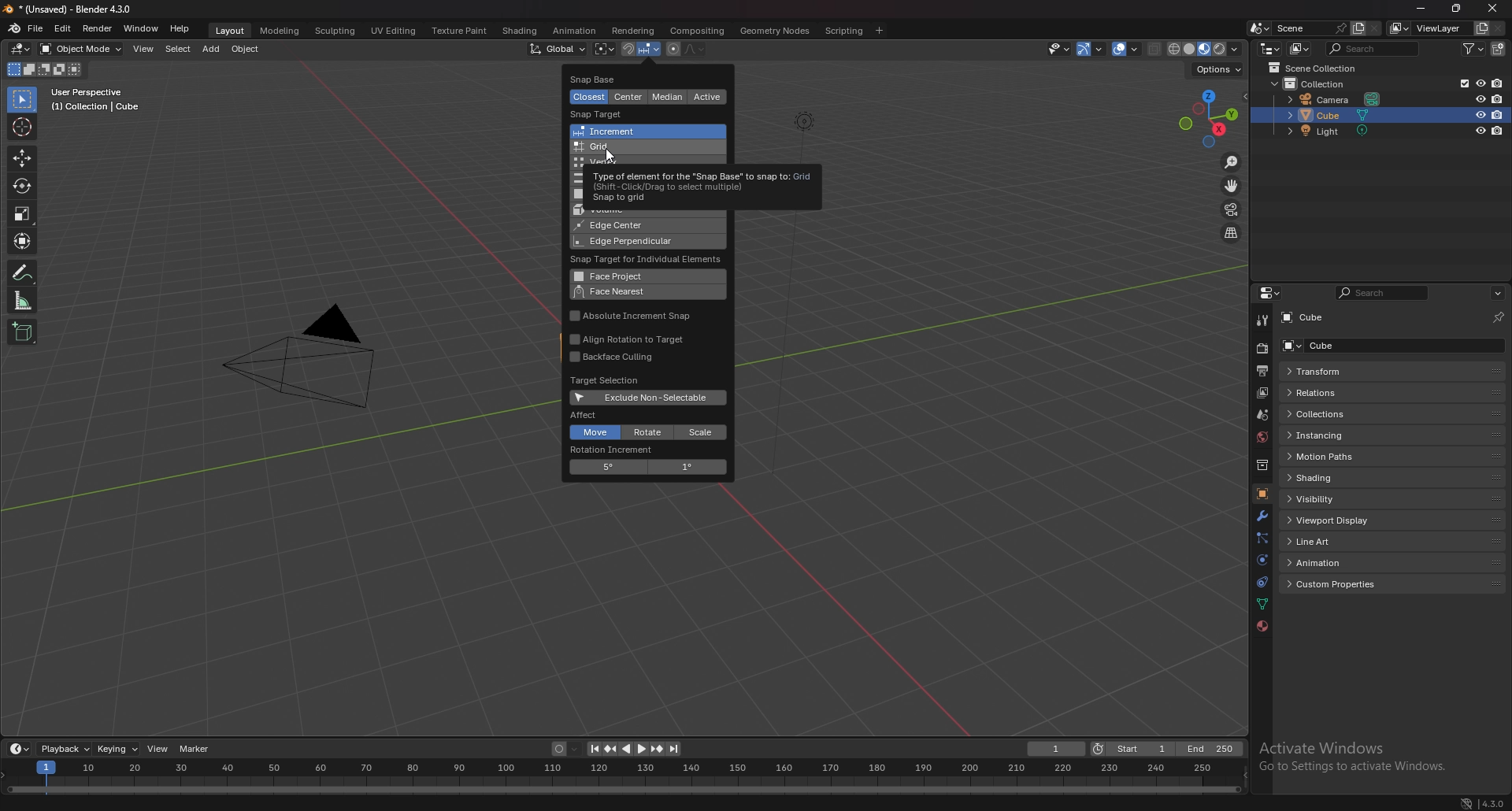  Describe the element at coordinates (231, 31) in the screenshot. I see `layout` at that location.